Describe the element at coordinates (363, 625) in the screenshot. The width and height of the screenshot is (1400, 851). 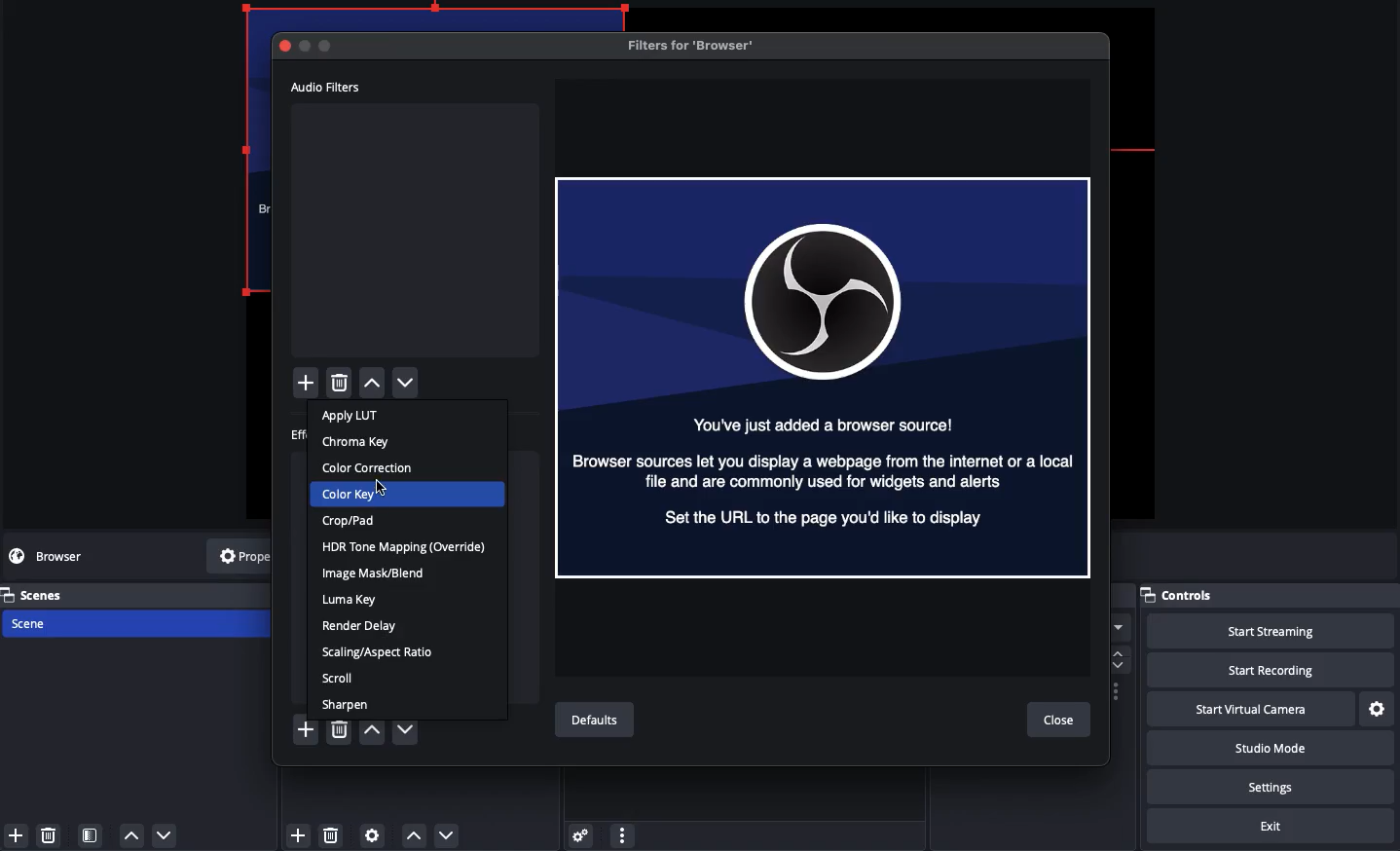
I see `Render delay` at that location.